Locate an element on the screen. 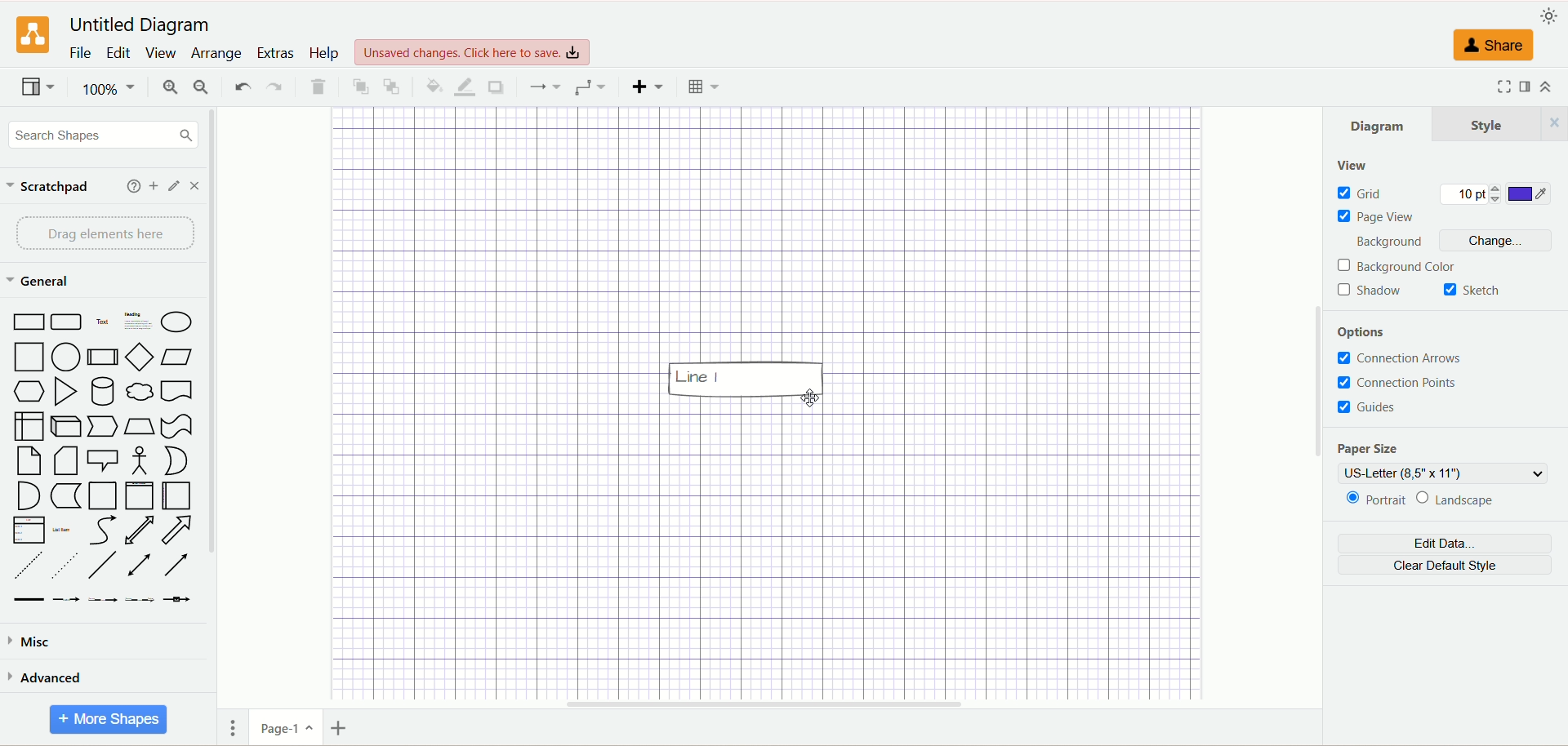  paper size is located at coordinates (1378, 450).